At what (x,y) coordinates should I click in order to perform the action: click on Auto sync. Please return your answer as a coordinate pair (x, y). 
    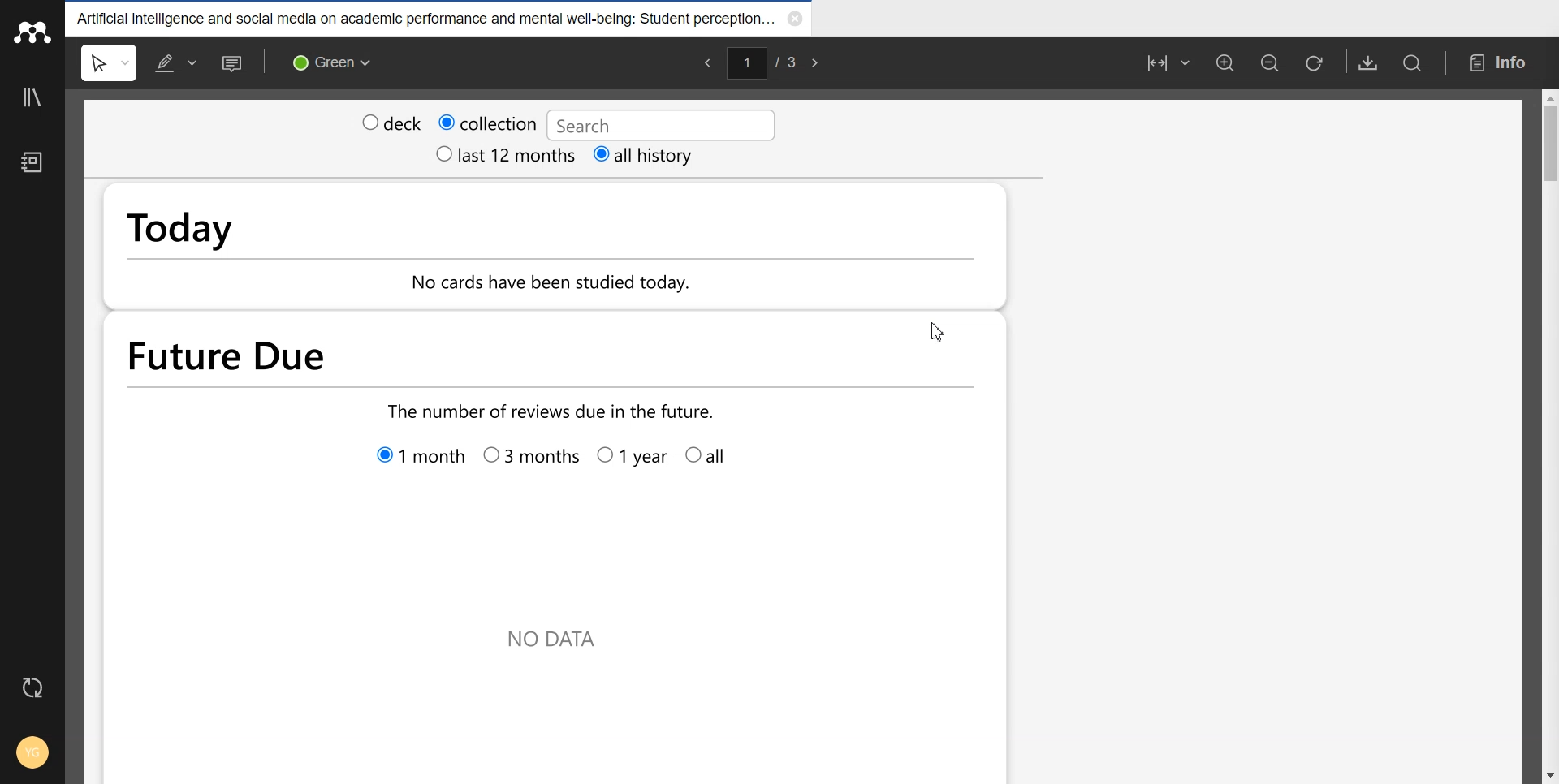
    Looking at the image, I should click on (35, 688).